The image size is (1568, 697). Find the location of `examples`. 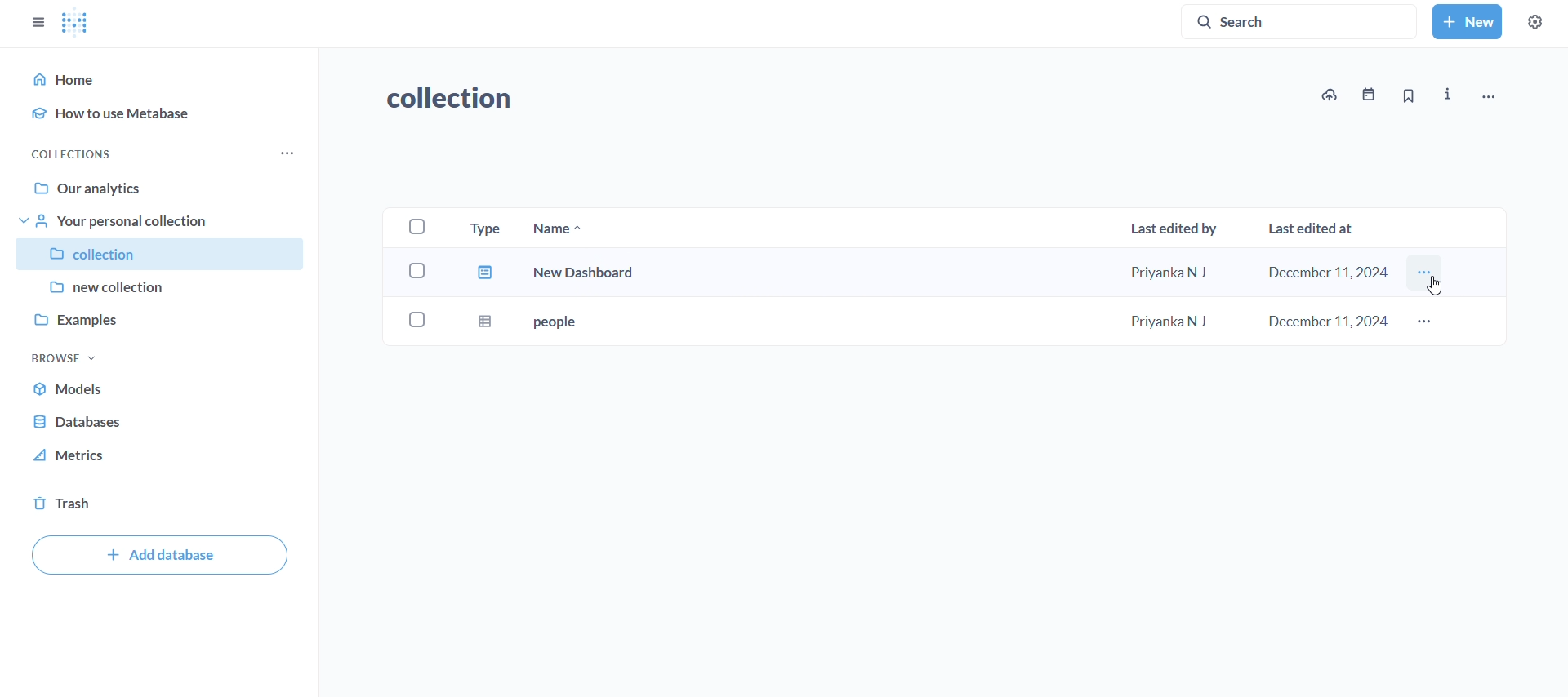

examples is located at coordinates (159, 317).